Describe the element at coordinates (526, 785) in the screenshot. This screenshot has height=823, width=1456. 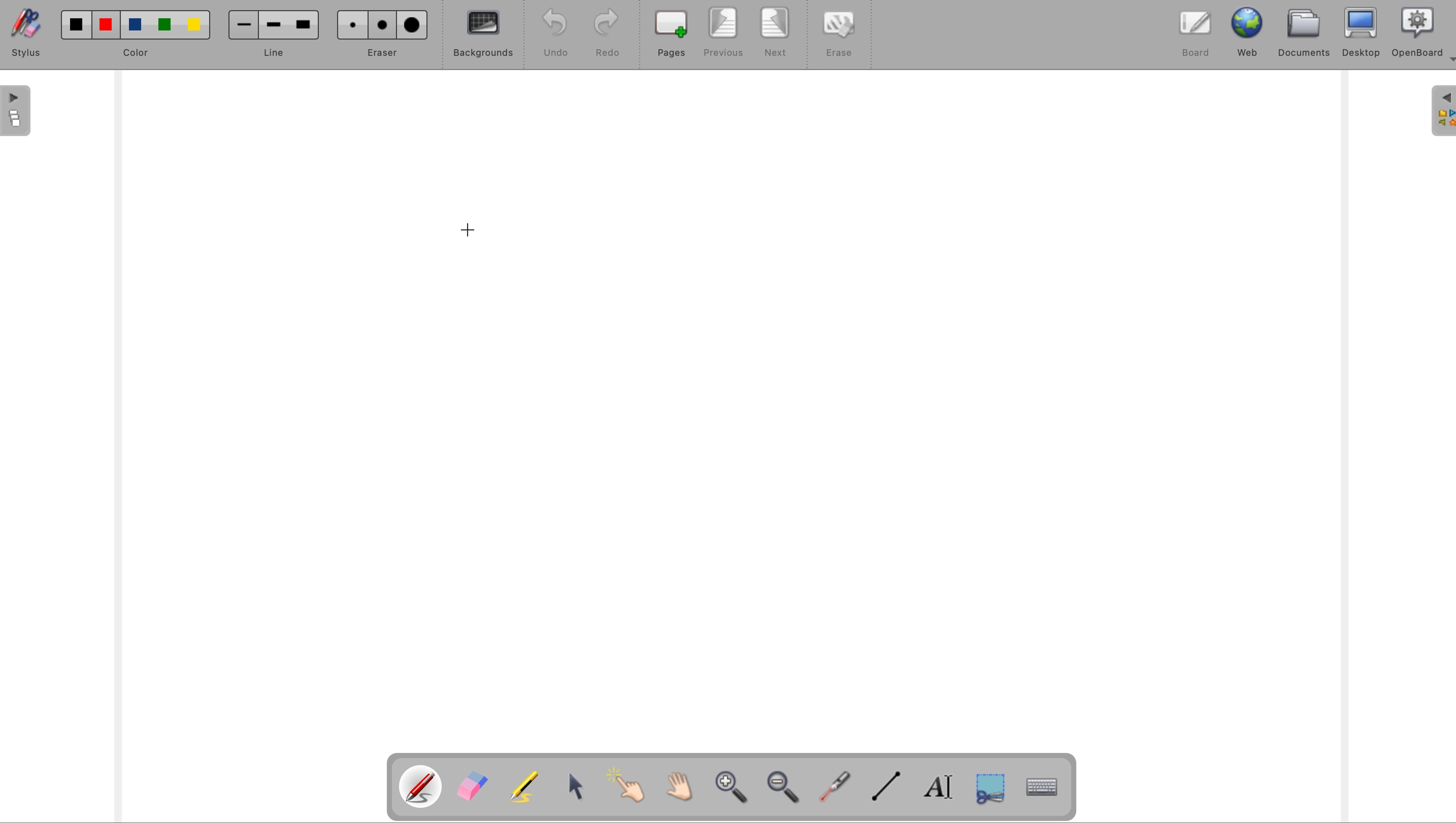
I see `highlight` at that location.